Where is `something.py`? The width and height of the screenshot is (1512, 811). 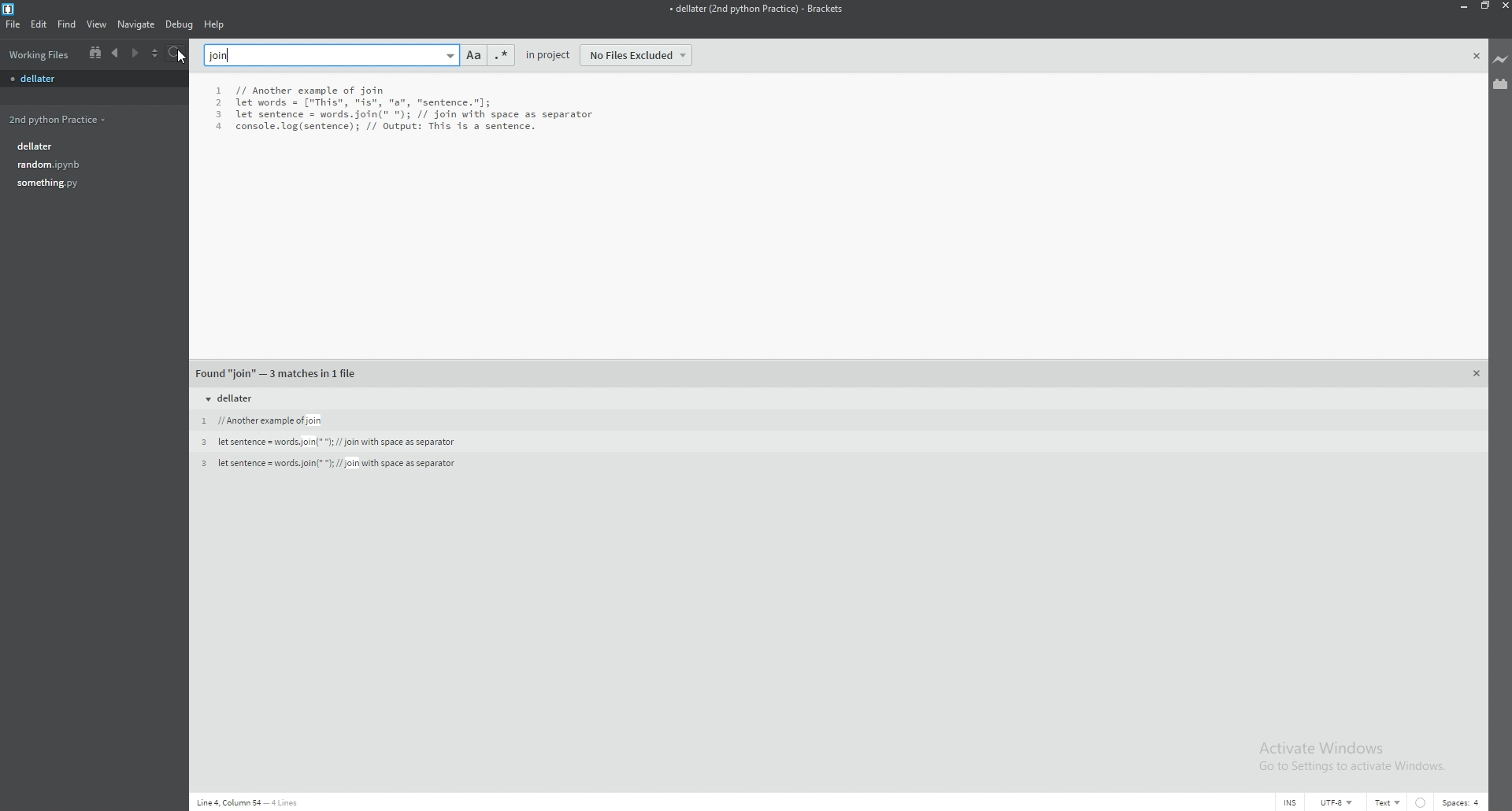 something.py is located at coordinates (90, 183).